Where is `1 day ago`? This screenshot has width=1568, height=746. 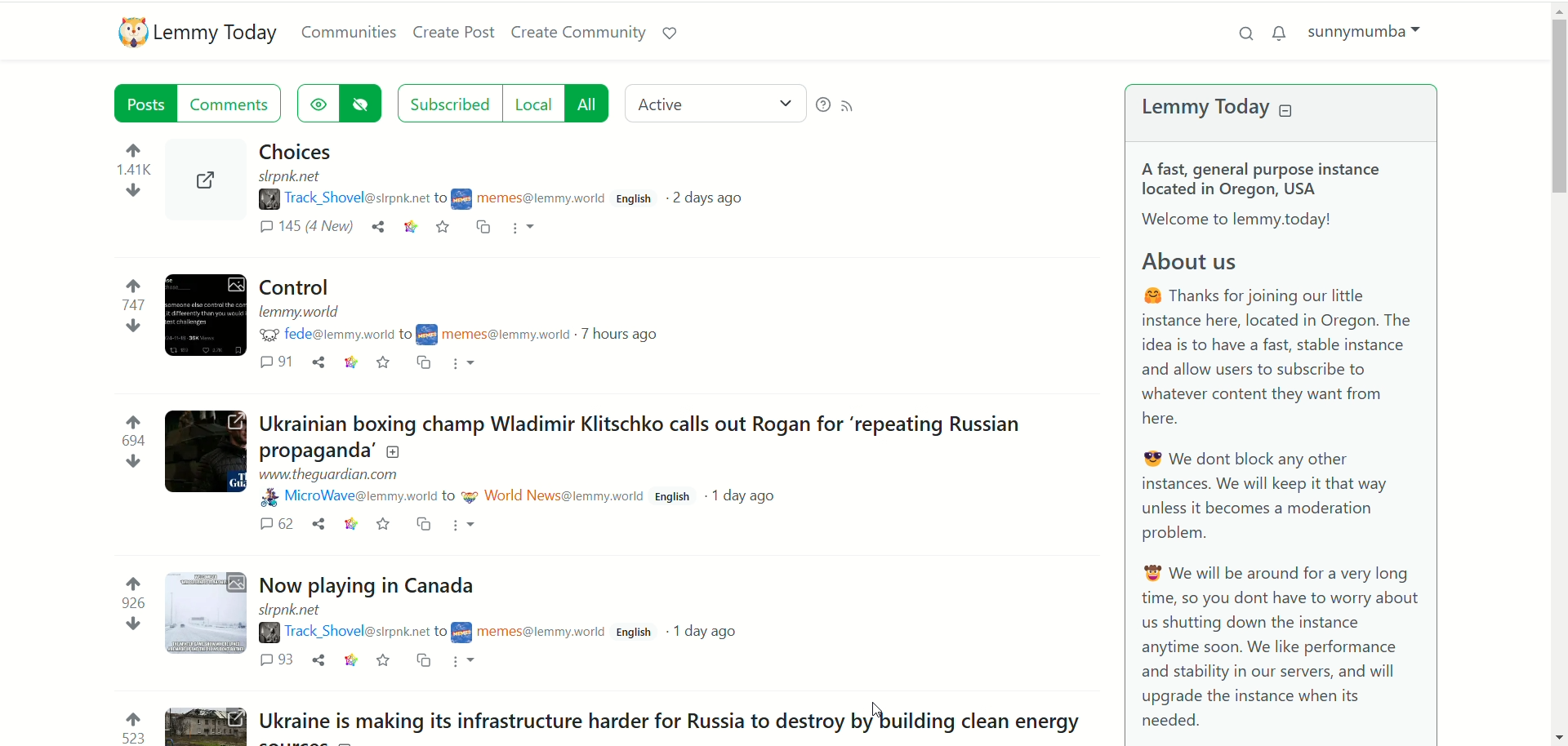
1 day ago is located at coordinates (710, 633).